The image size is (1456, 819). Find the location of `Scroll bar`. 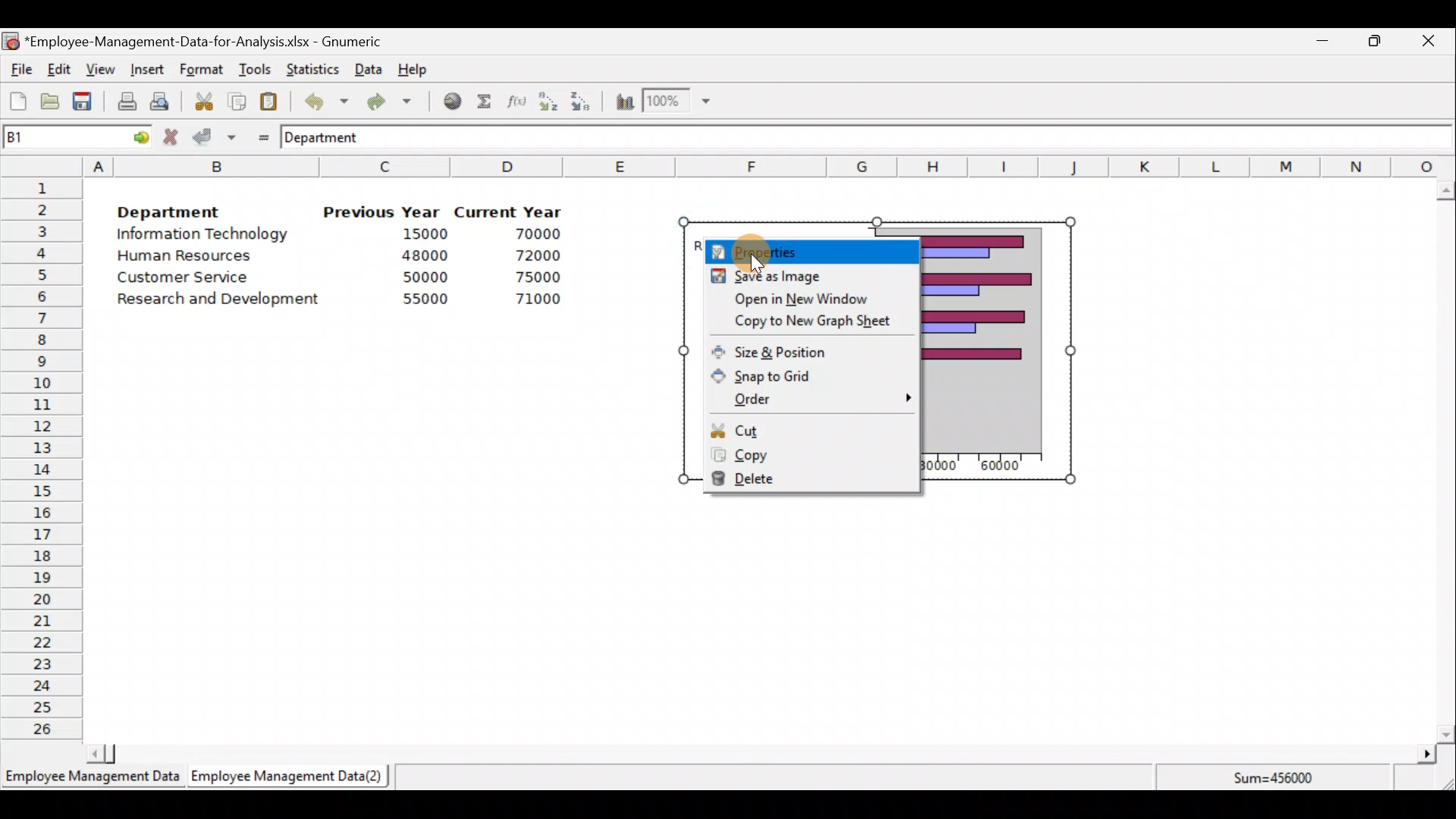

Scroll bar is located at coordinates (1445, 462).